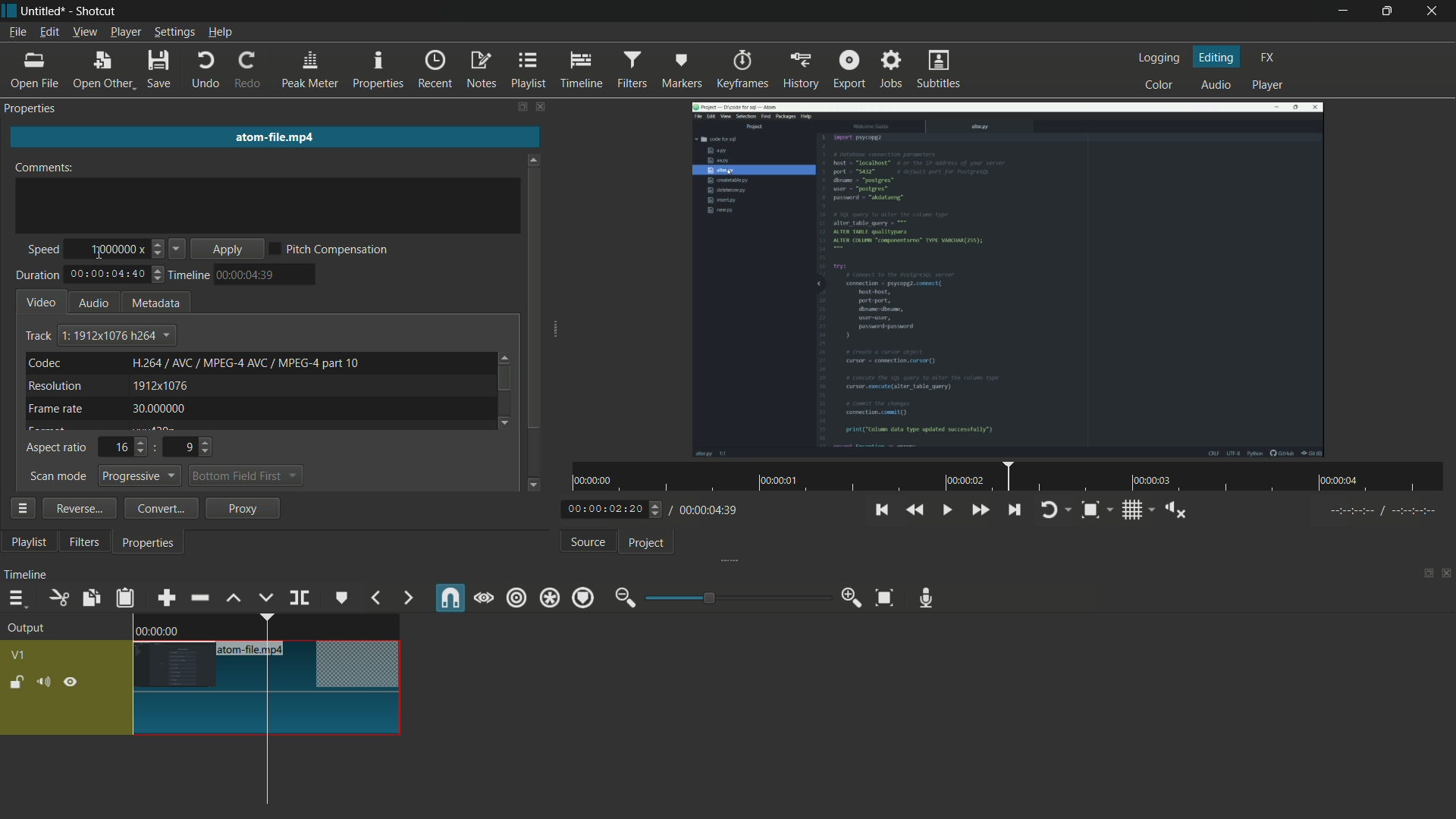 This screenshot has height=819, width=1456. What do you see at coordinates (535, 297) in the screenshot?
I see `scroll bar` at bounding box center [535, 297].